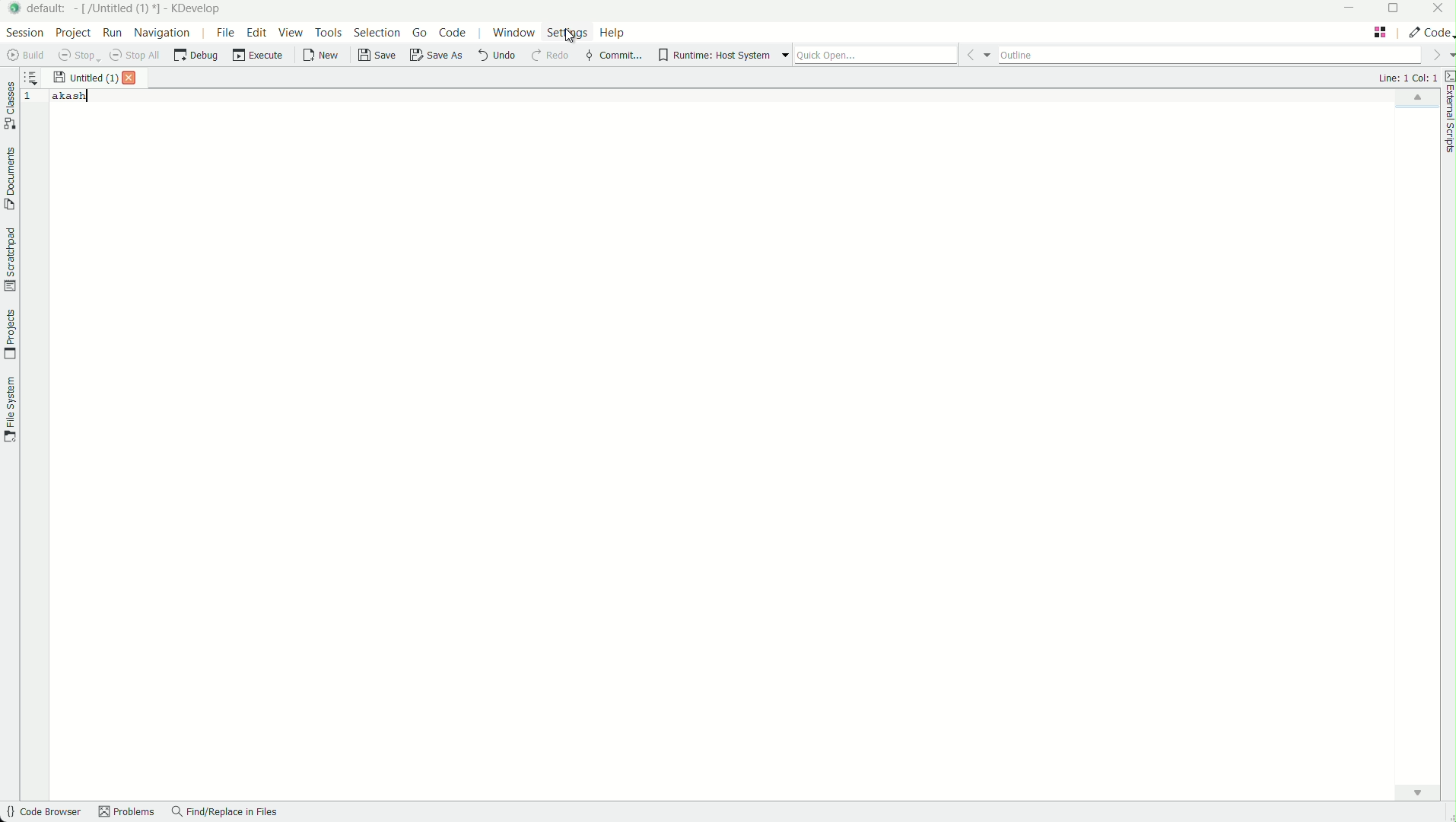 The image size is (1456, 822). I want to click on session menu, so click(23, 32).